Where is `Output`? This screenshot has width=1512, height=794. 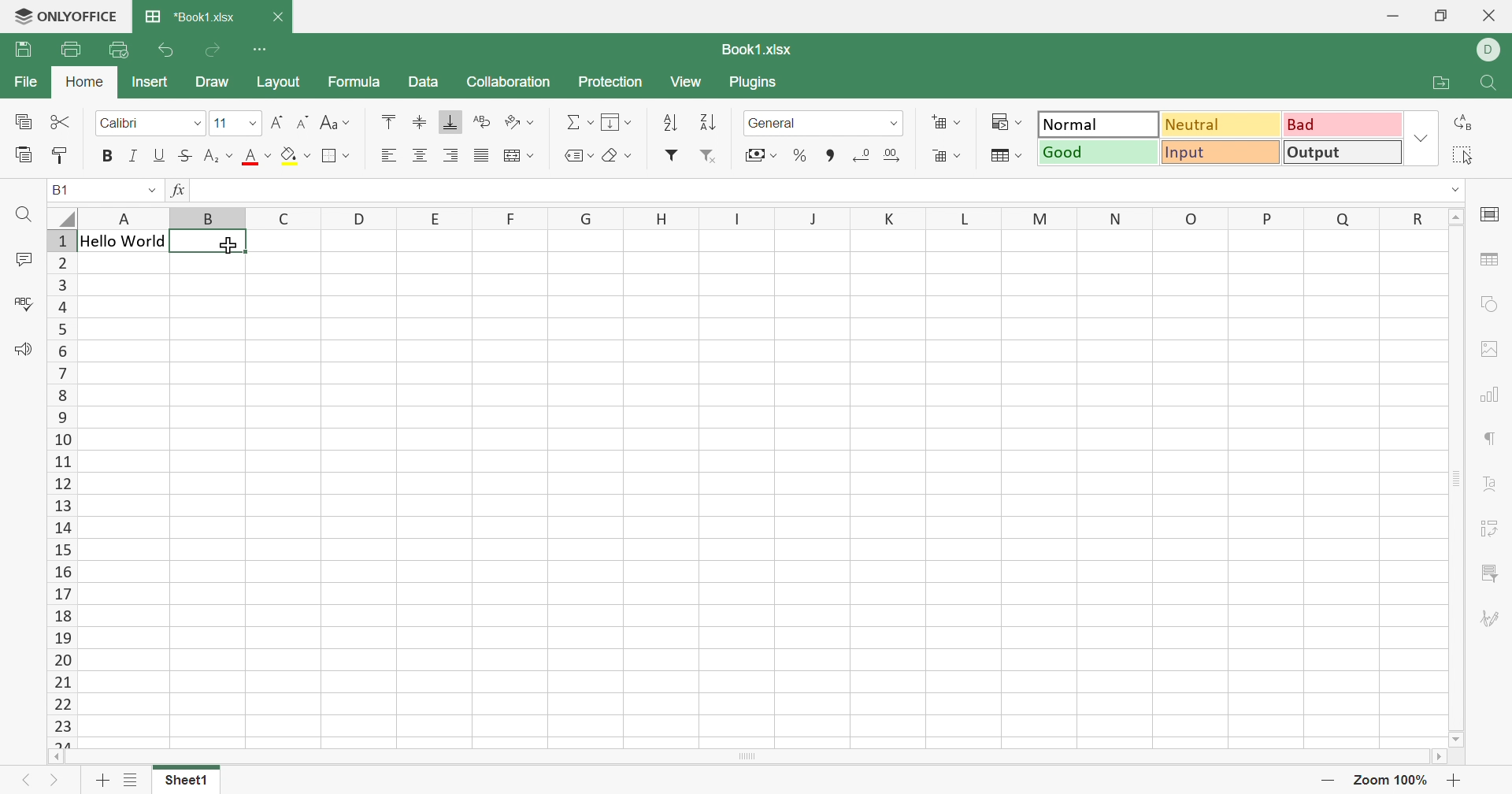 Output is located at coordinates (1342, 152).